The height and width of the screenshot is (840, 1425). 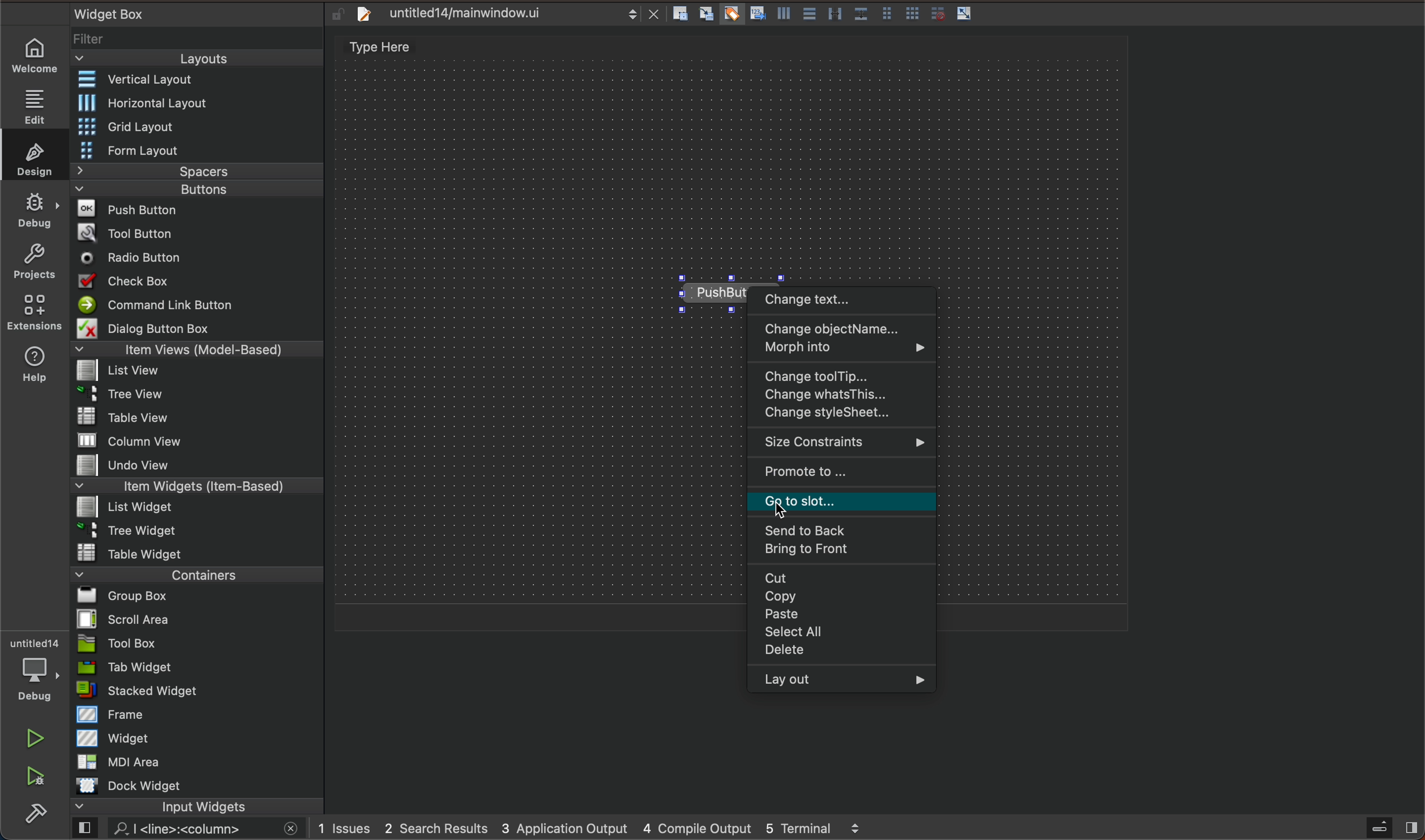 I want to click on change toolTip, so click(x=842, y=375).